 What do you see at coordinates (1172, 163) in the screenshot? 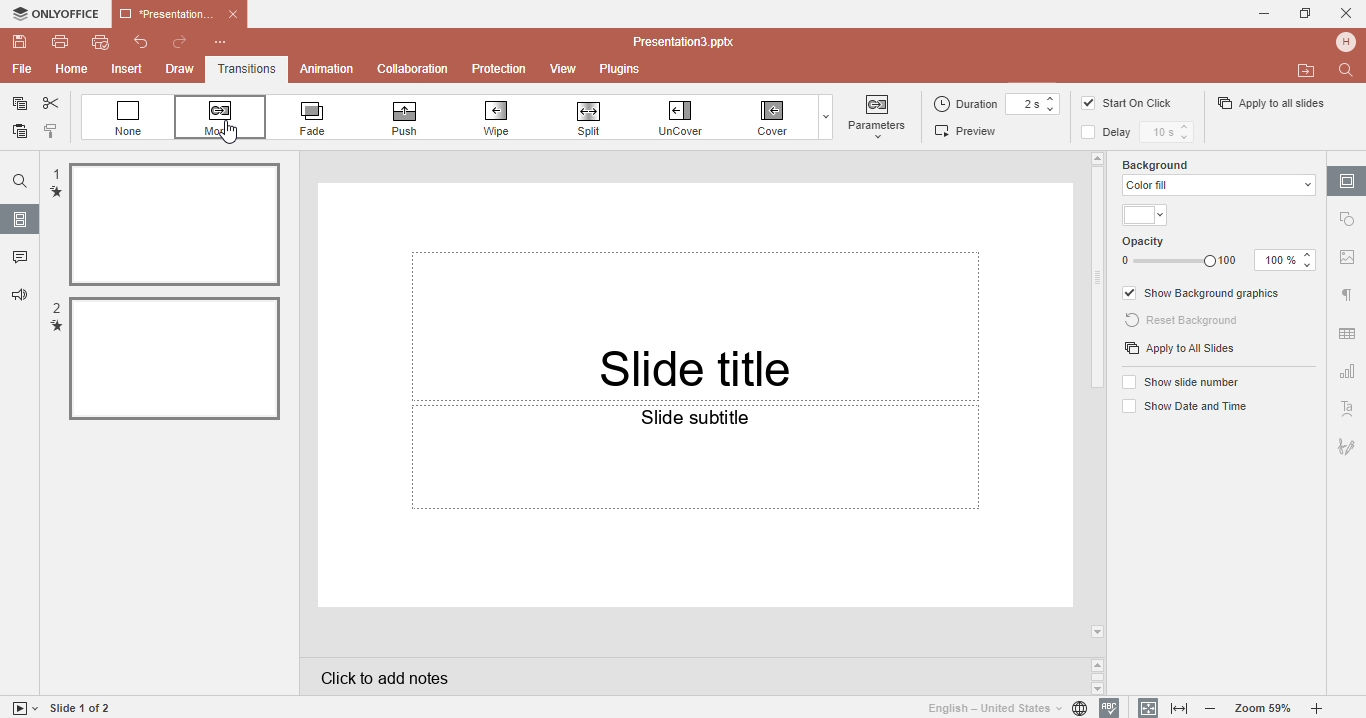
I see `Background` at bounding box center [1172, 163].